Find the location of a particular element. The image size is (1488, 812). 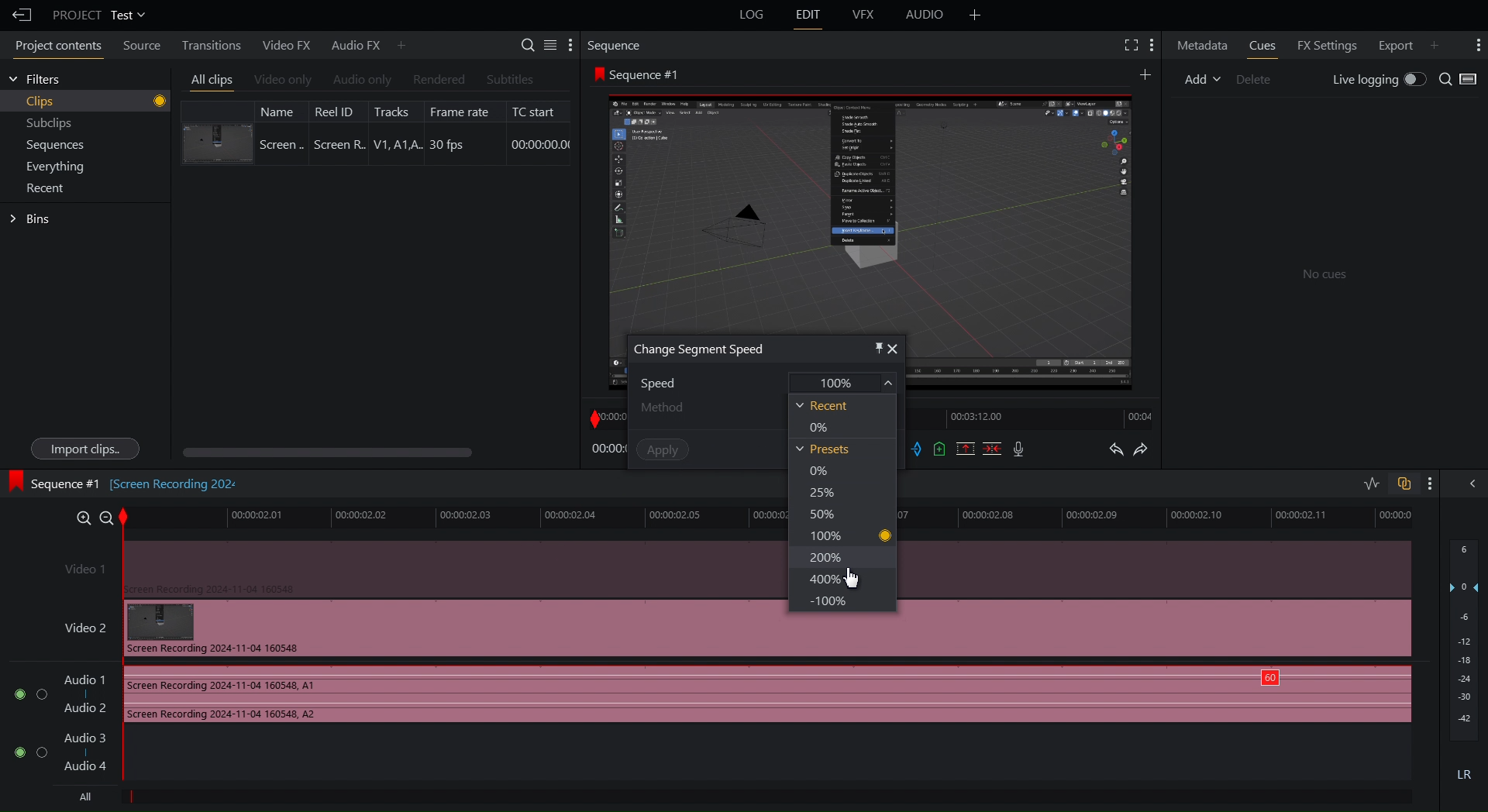

Video 2 is located at coordinates (416, 628).